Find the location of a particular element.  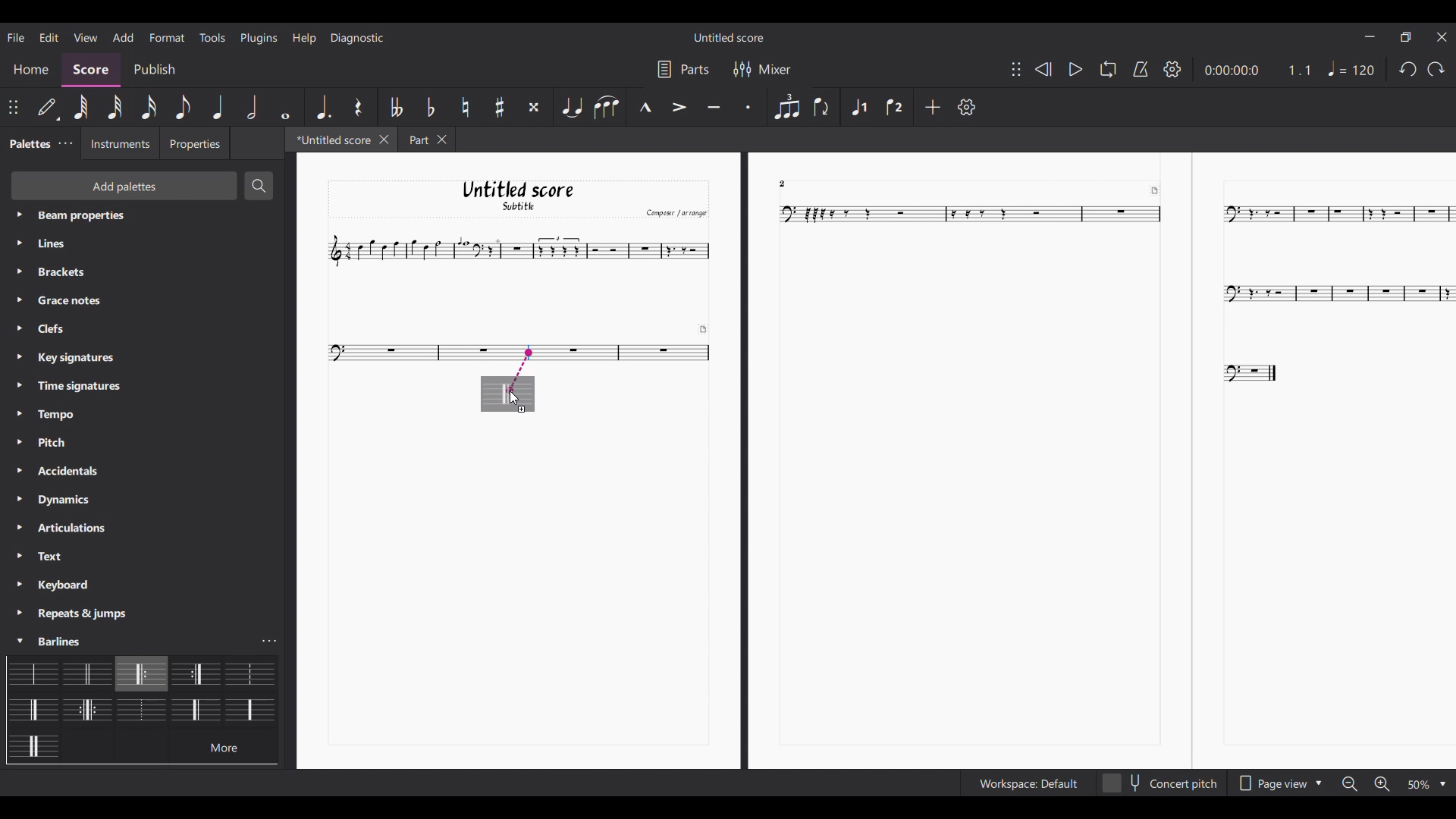

Palette settings is located at coordinates (55, 498).